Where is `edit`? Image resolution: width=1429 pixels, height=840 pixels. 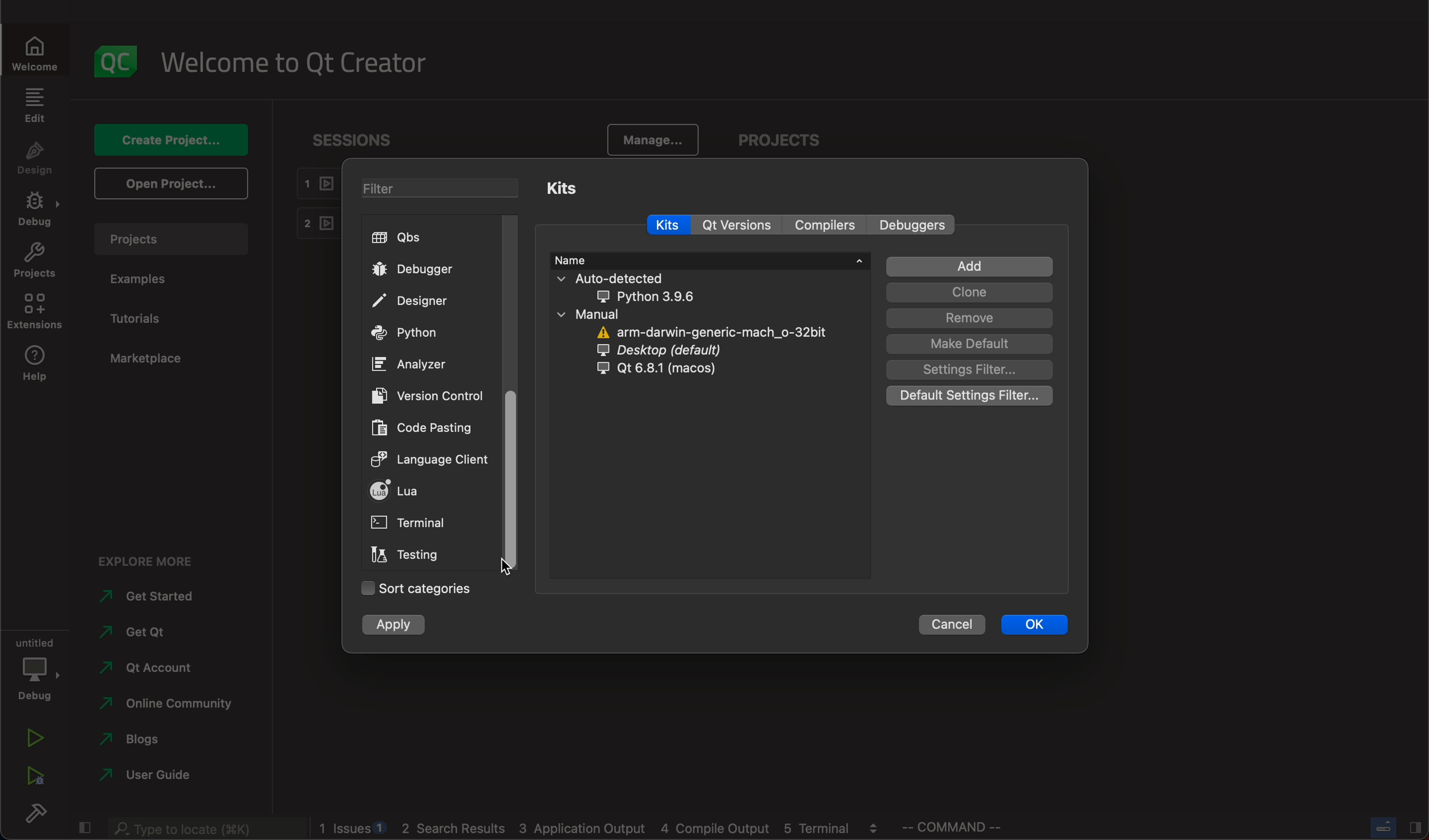
edit is located at coordinates (36, 104).